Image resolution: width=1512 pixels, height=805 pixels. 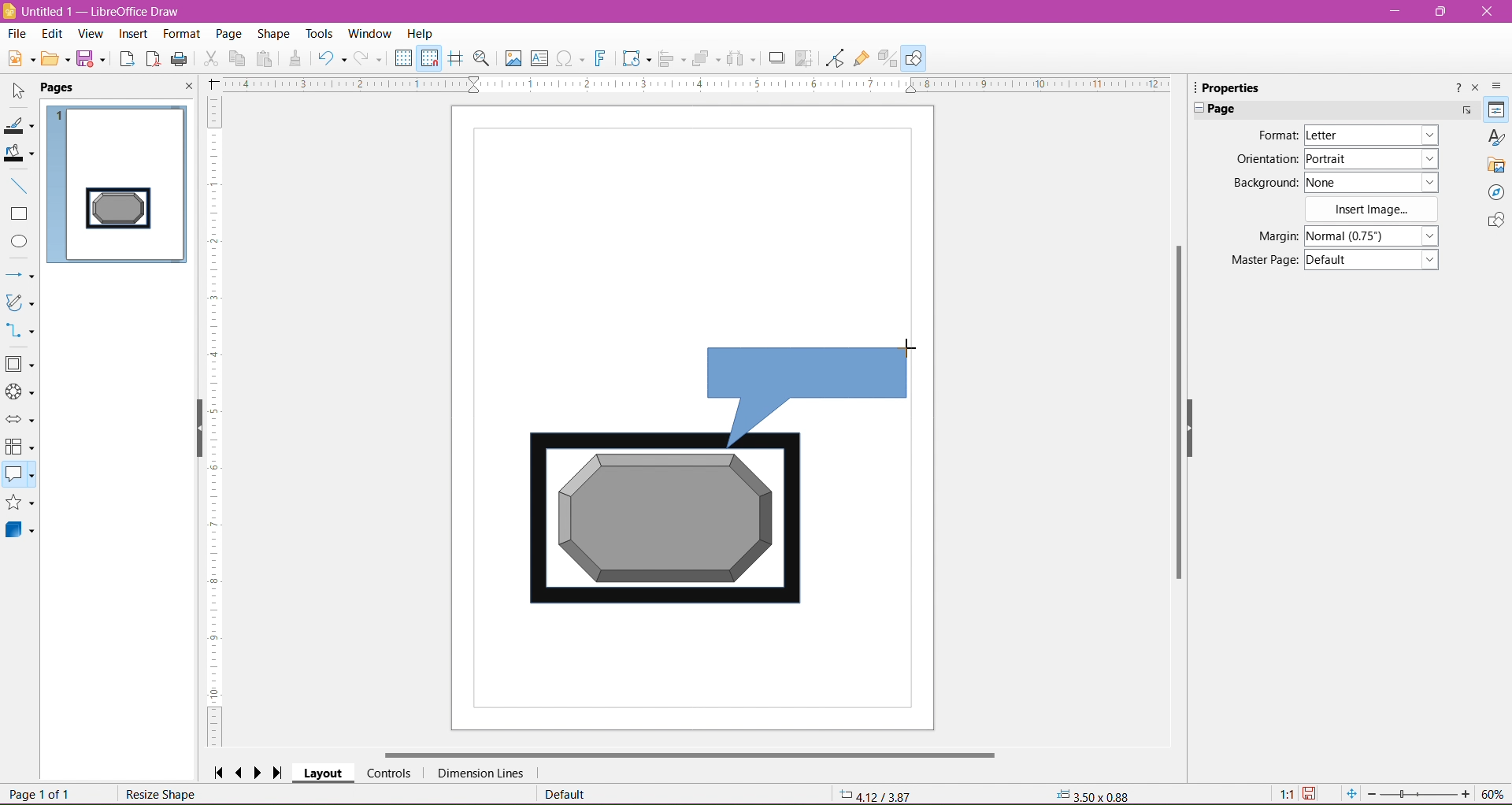 I want to click on Align Objects, so click(x=671, y=61).